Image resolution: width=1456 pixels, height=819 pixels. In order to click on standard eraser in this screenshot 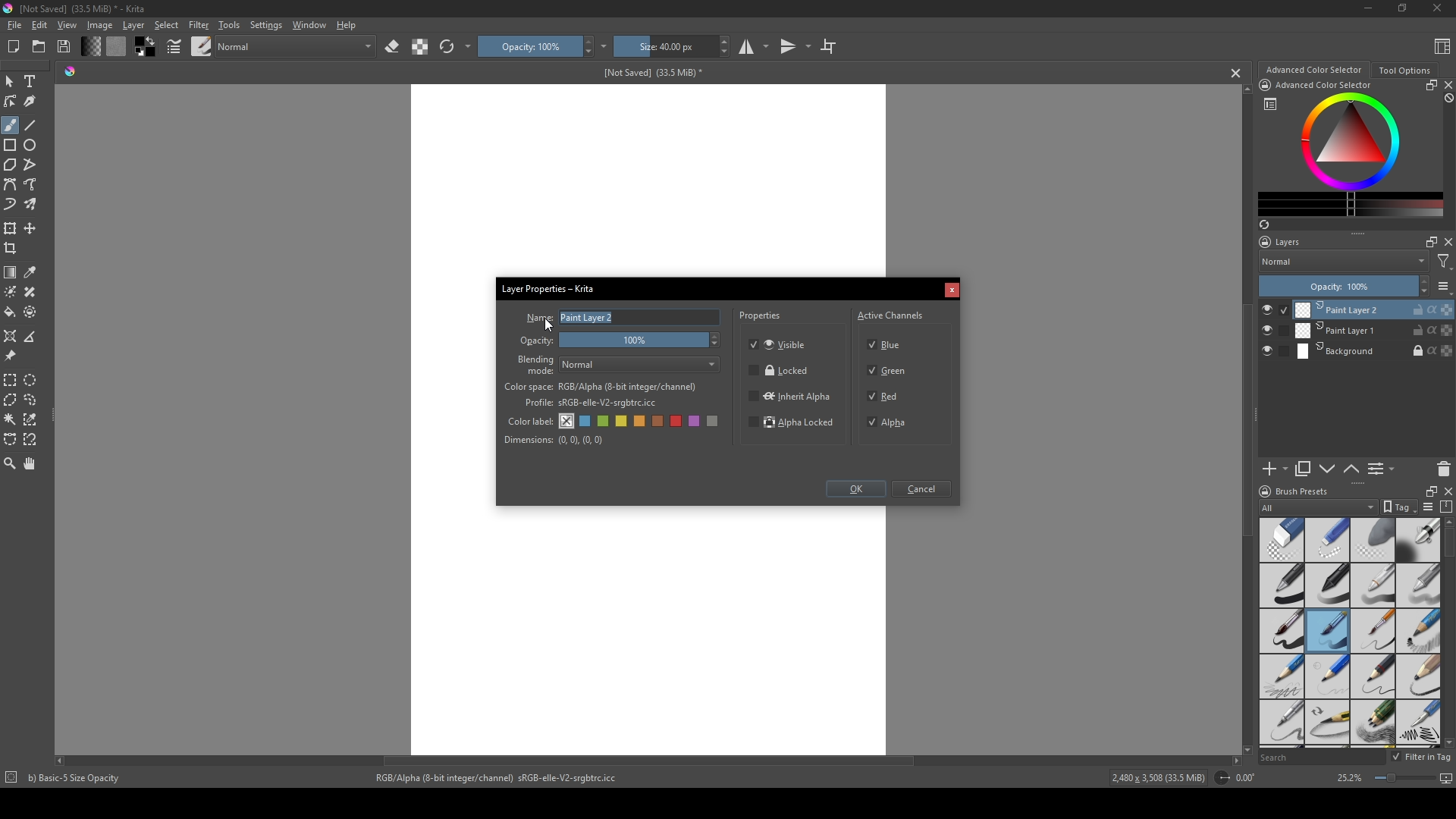, I will do `click(1281, 539)`.